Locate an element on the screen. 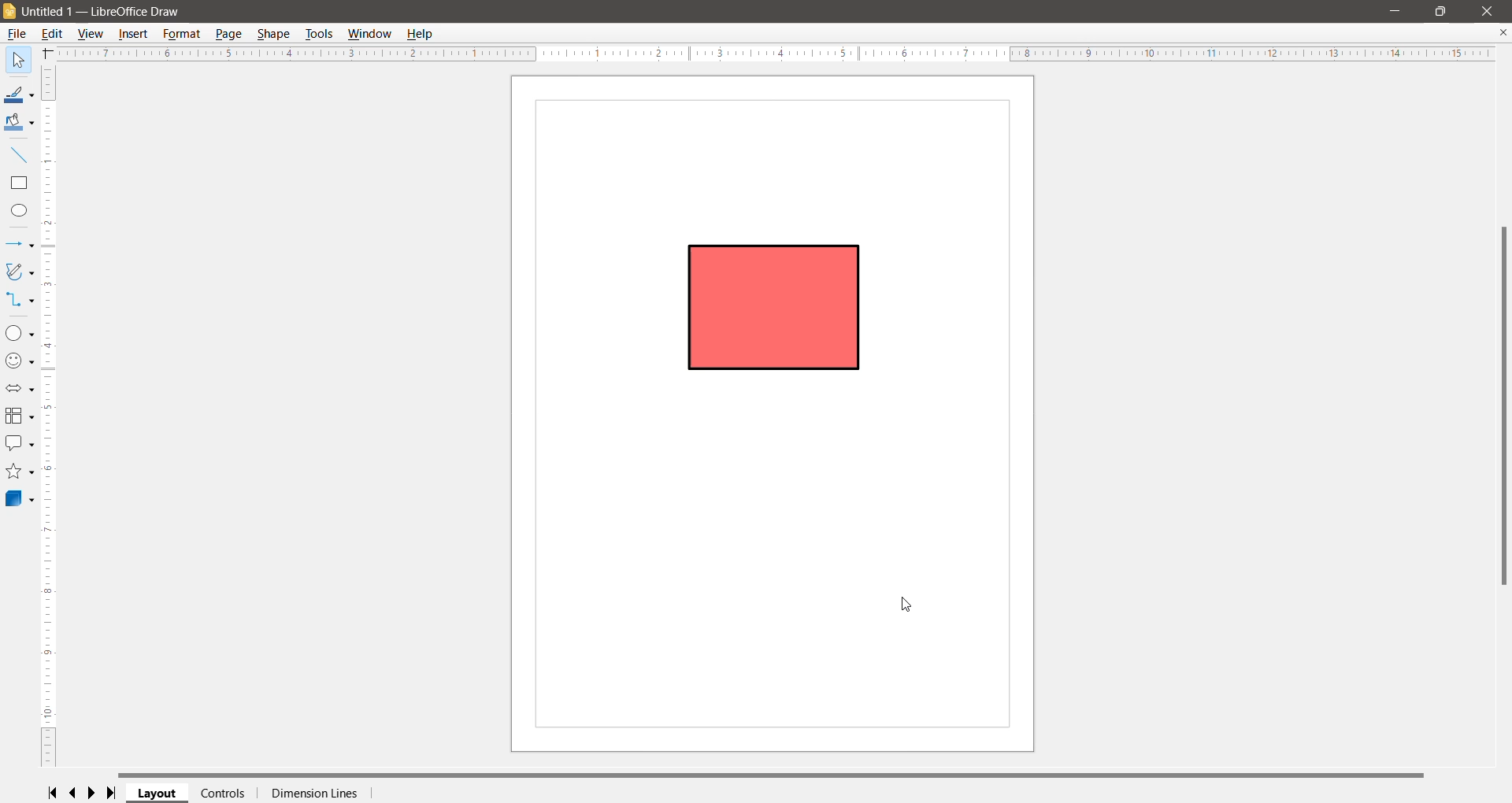 Image resolution: width=1512 pixels, height=803 pixels. Scroll to previous page is located at coordinates (74, 794).